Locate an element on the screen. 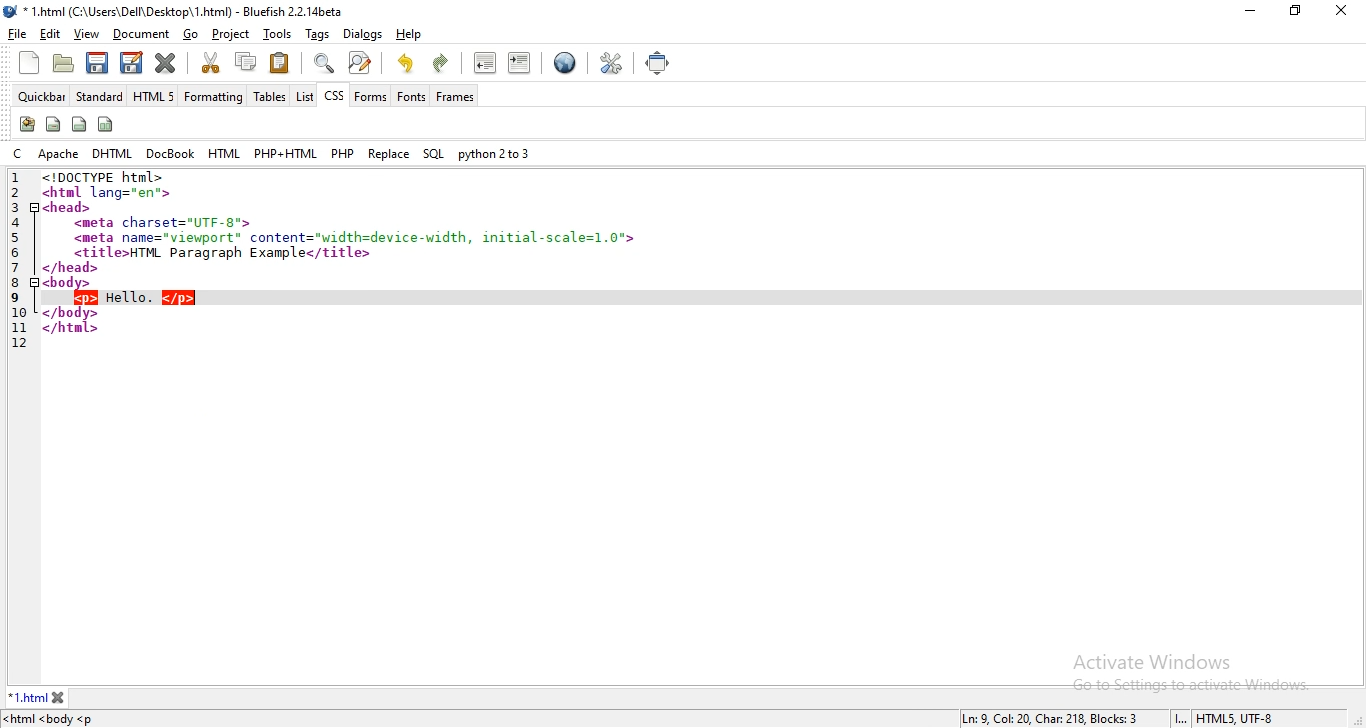 The height and width of the screenshot is (728, 1366). unindent is located at coordinates (484, 63).